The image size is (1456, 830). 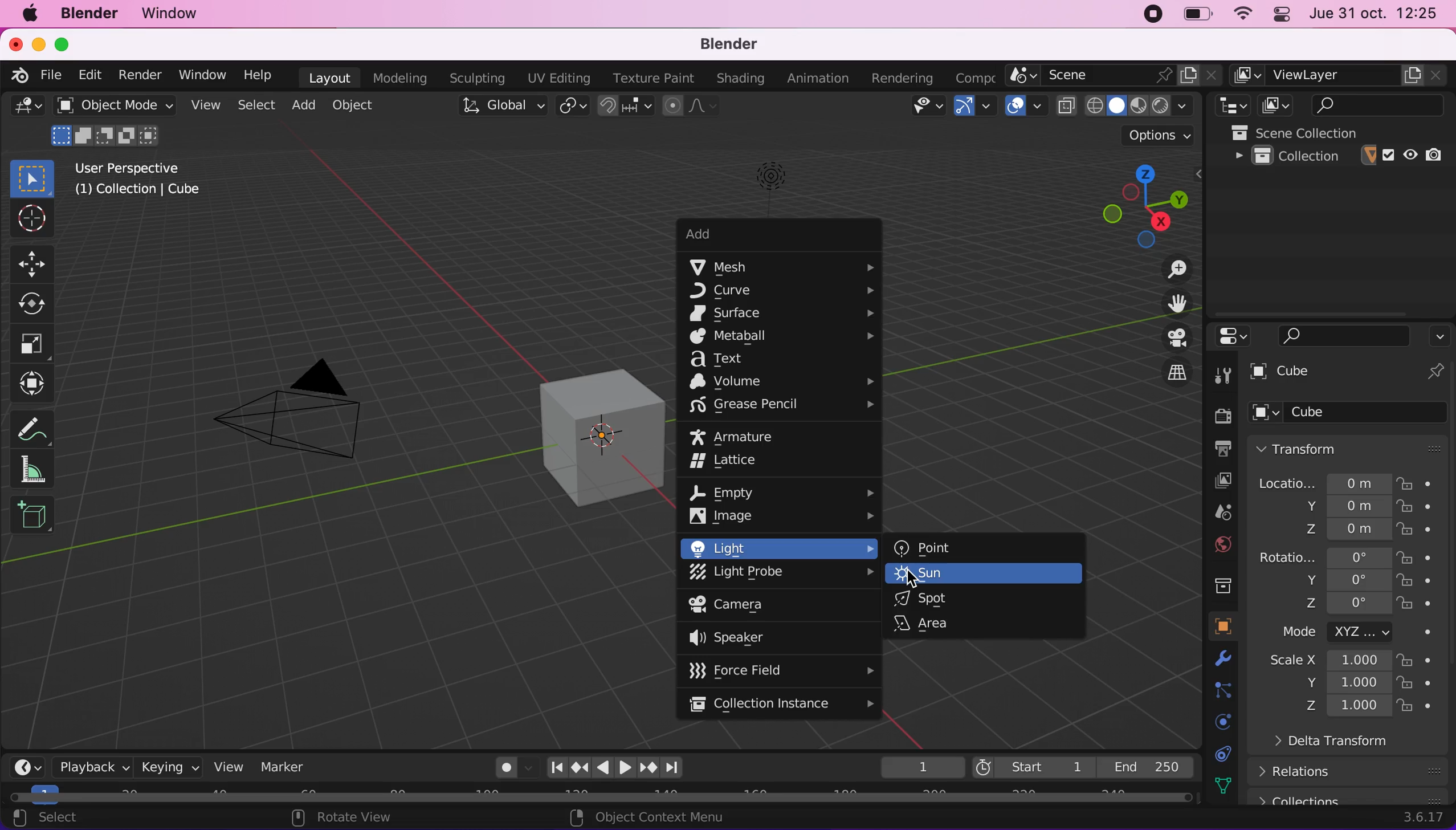 I want to click on location 0m, so click(x=1323, y=482).